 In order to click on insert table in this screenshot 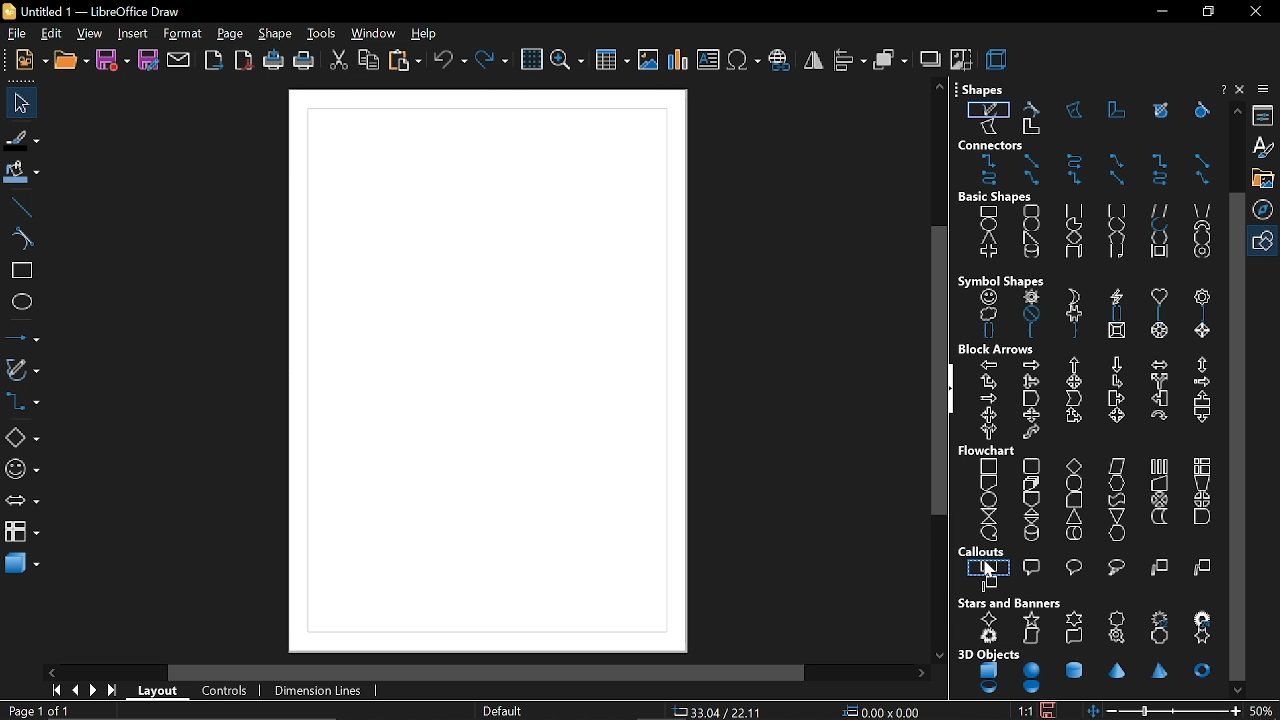, I will do `click(611, 62)`.